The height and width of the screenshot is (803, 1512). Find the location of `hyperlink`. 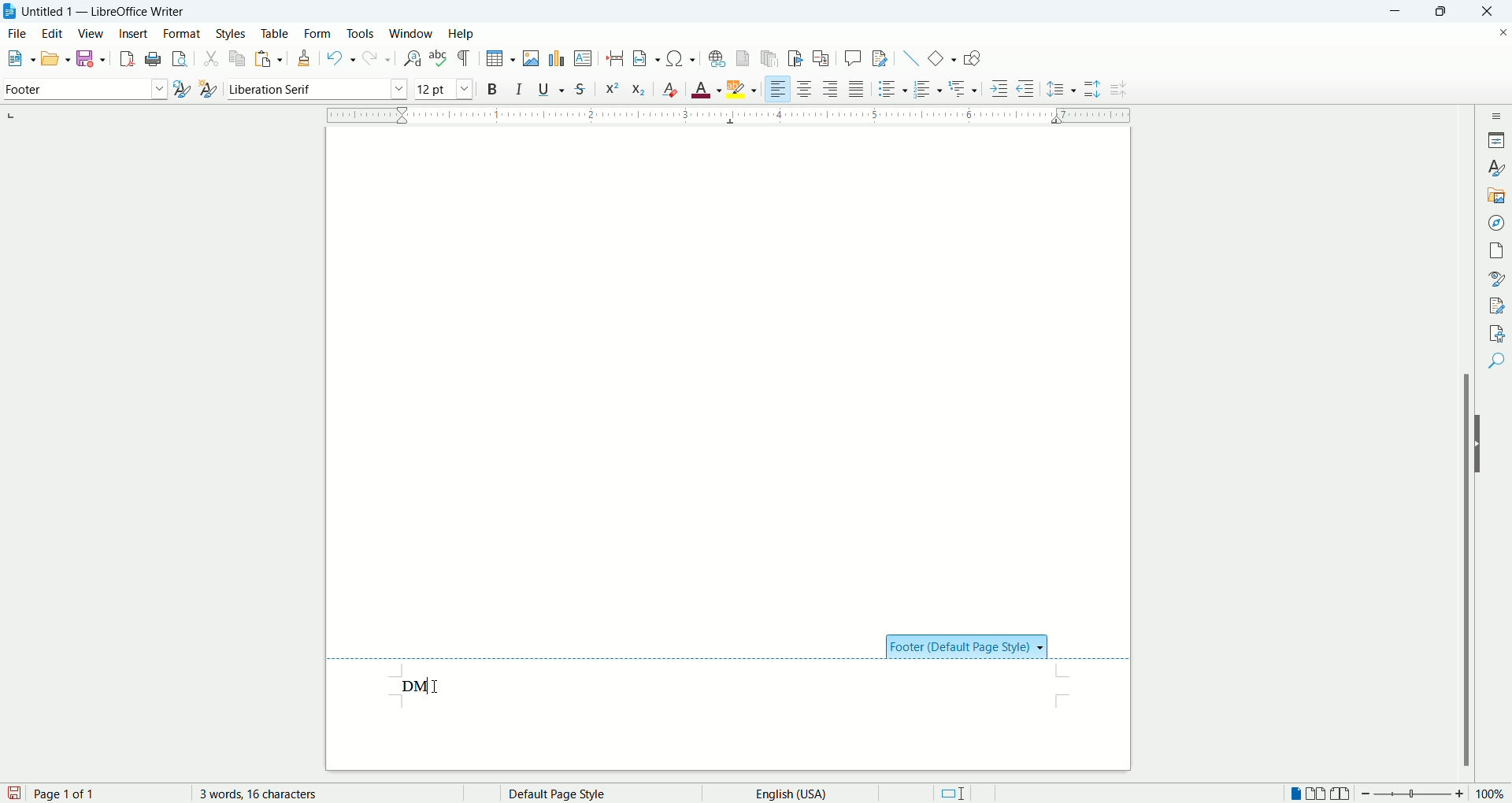

hyperlink is located at coordinates (717, 58).